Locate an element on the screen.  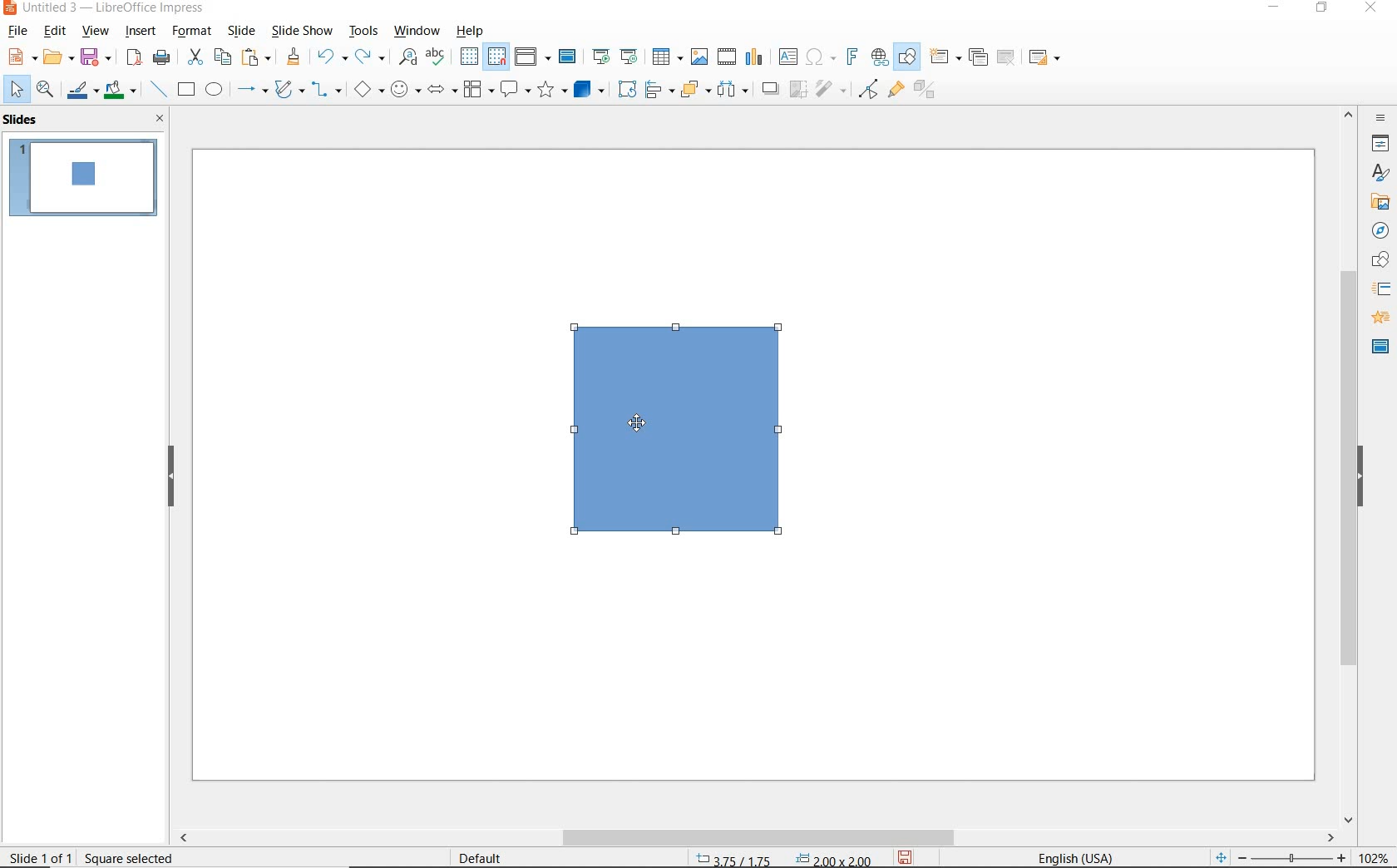
save is located at coordinates (98, 57).